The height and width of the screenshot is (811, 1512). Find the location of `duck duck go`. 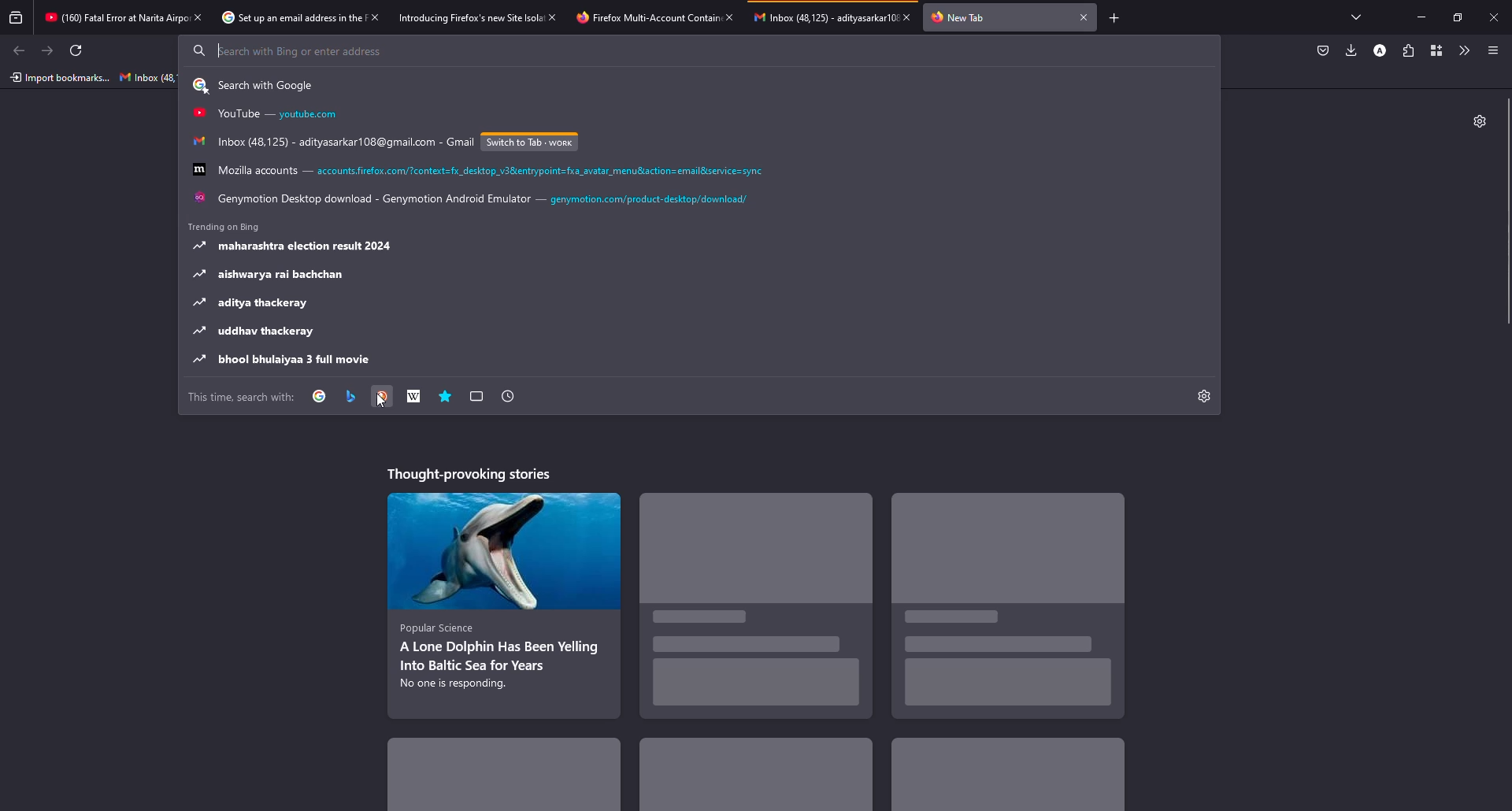

duck duck go is located at coordinates (383, 398).